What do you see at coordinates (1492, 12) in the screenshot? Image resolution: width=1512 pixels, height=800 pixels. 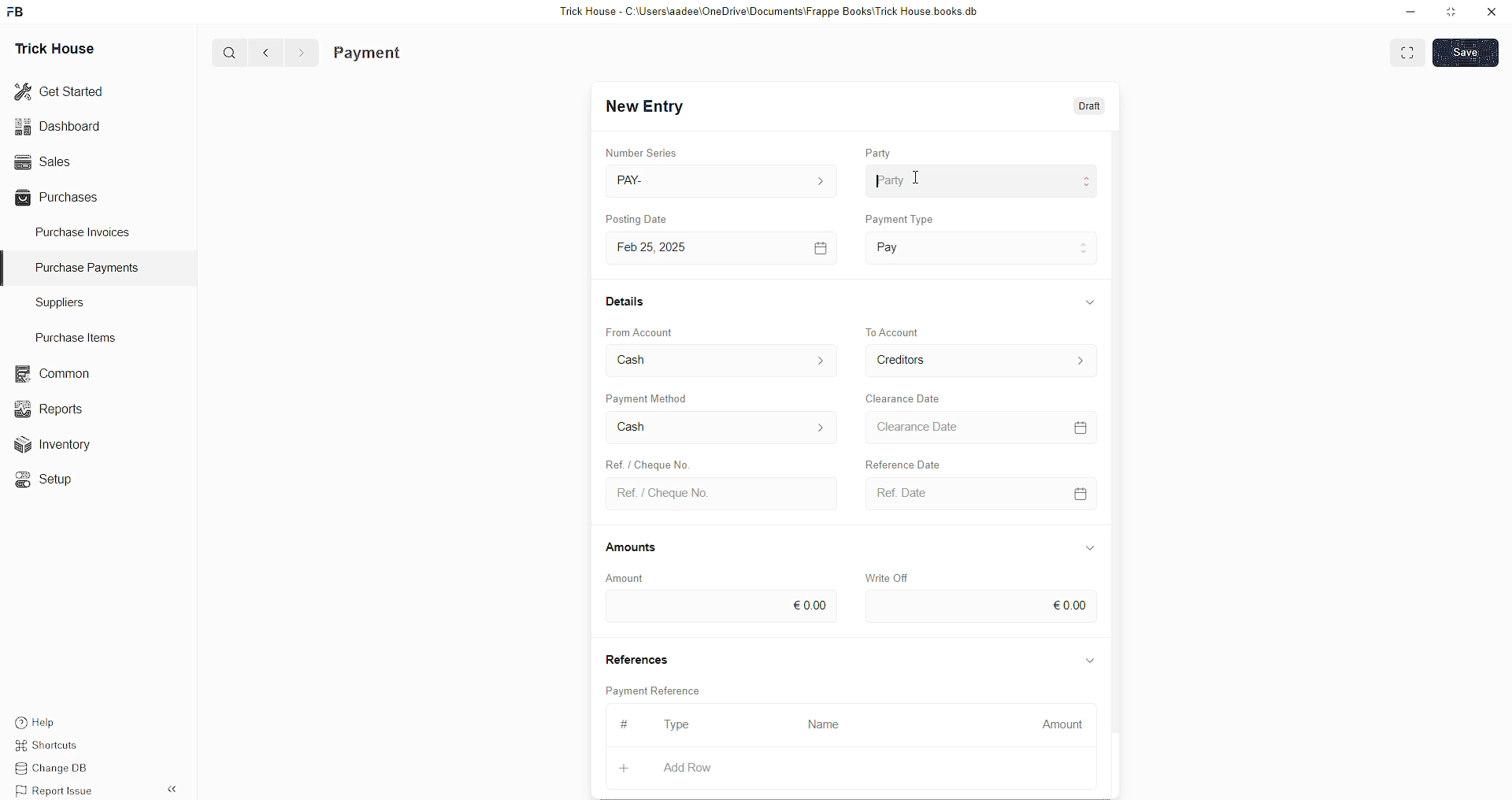 I see `close` at bounding box center [1492, 12].